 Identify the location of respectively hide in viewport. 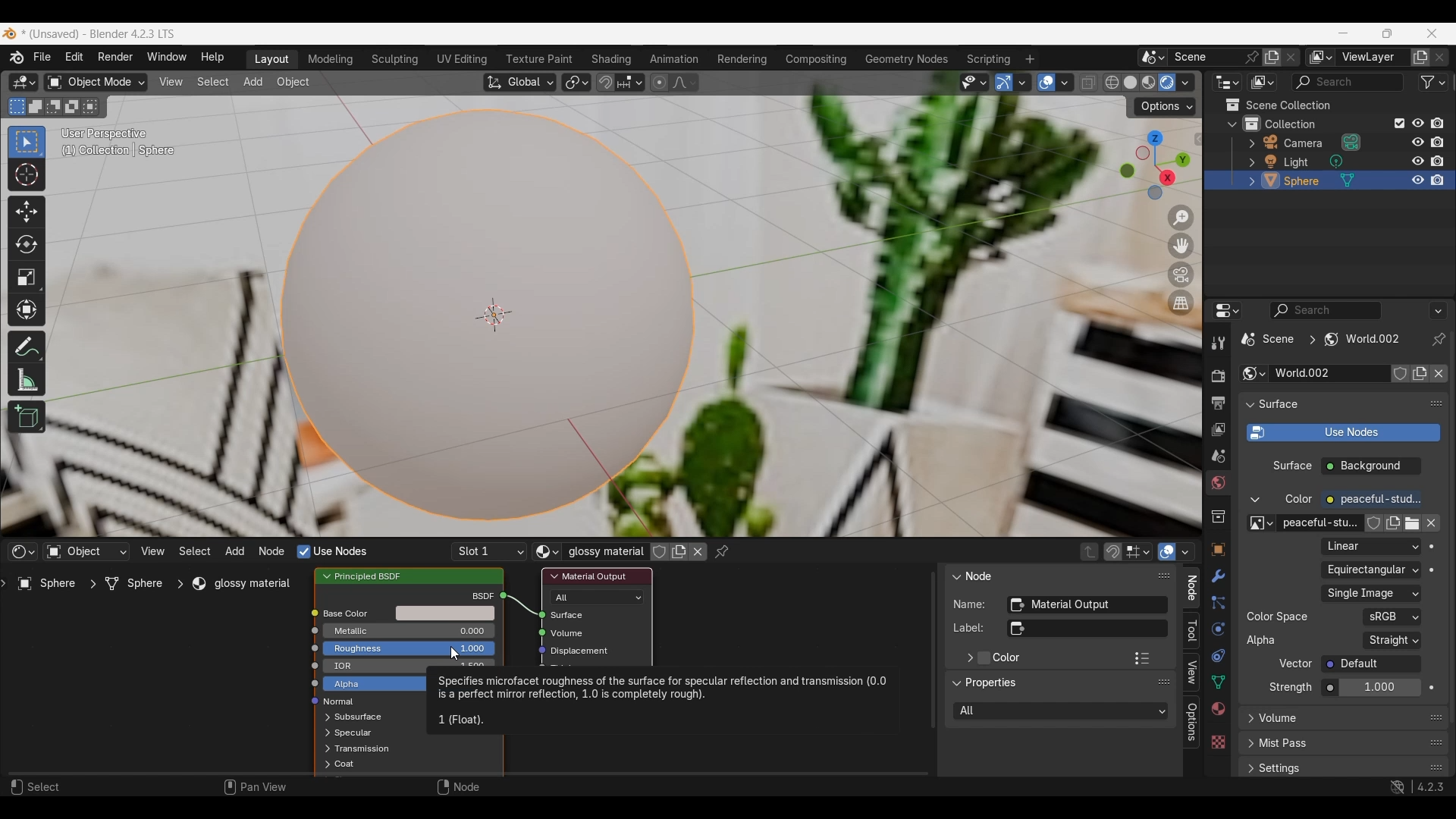
(1414, 162).